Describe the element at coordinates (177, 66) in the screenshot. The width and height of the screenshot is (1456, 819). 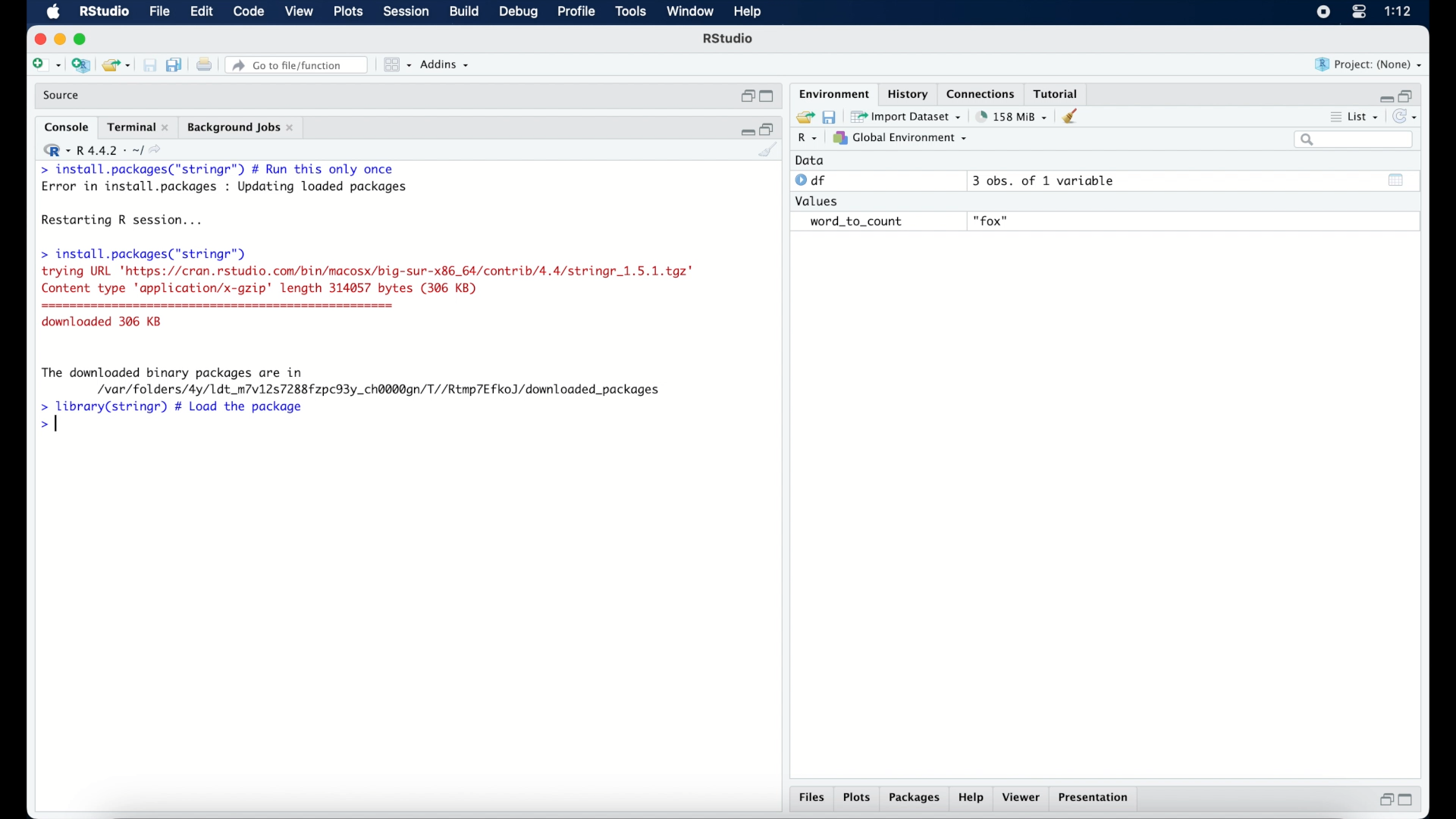
I see `save all document` at that location.